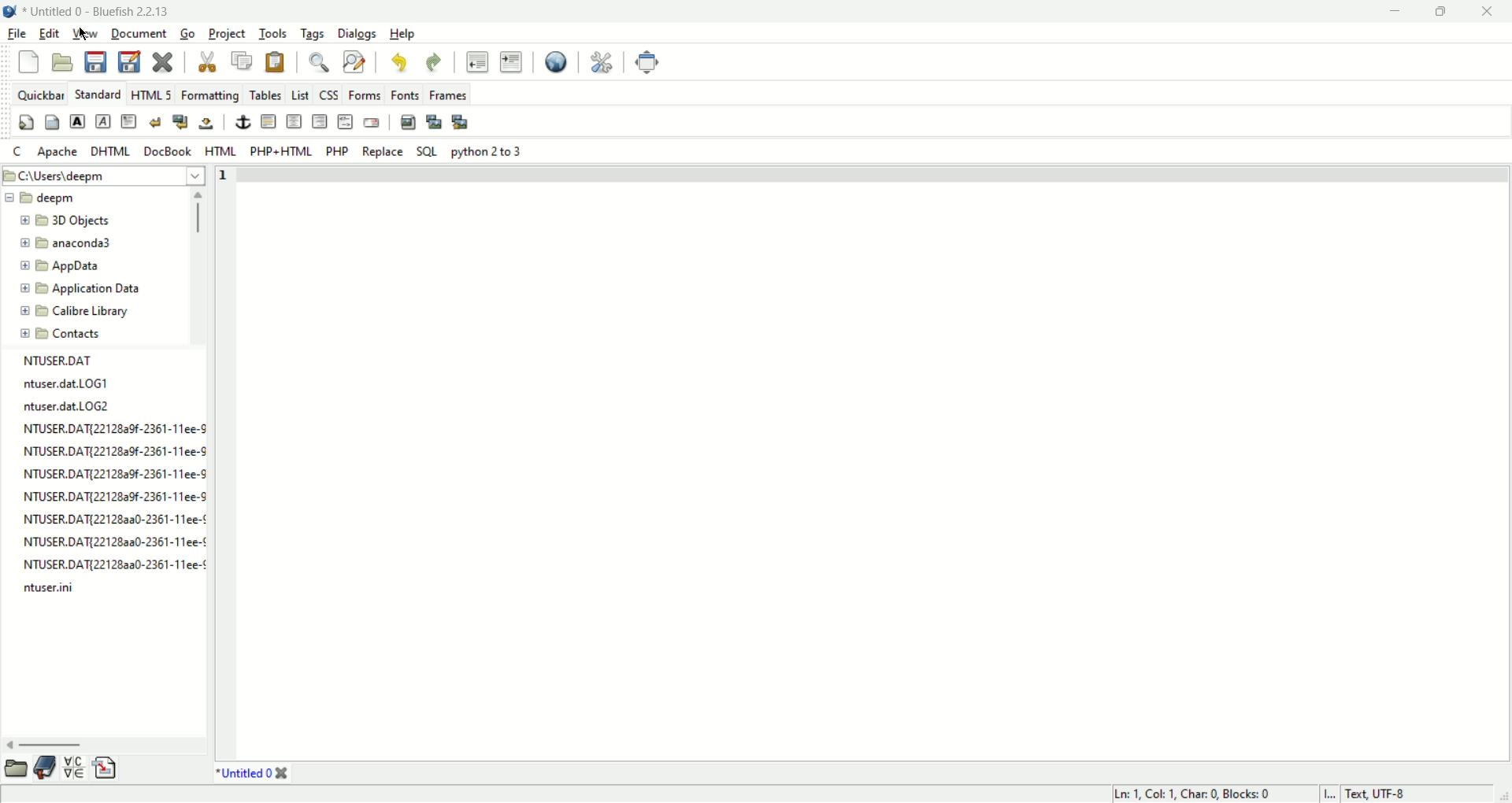 Image resolution: width=1512 pixels, height=803 pixels. Describe the element at coordinates (28, 123) in the screenshot. I see `quickstart` at that location.